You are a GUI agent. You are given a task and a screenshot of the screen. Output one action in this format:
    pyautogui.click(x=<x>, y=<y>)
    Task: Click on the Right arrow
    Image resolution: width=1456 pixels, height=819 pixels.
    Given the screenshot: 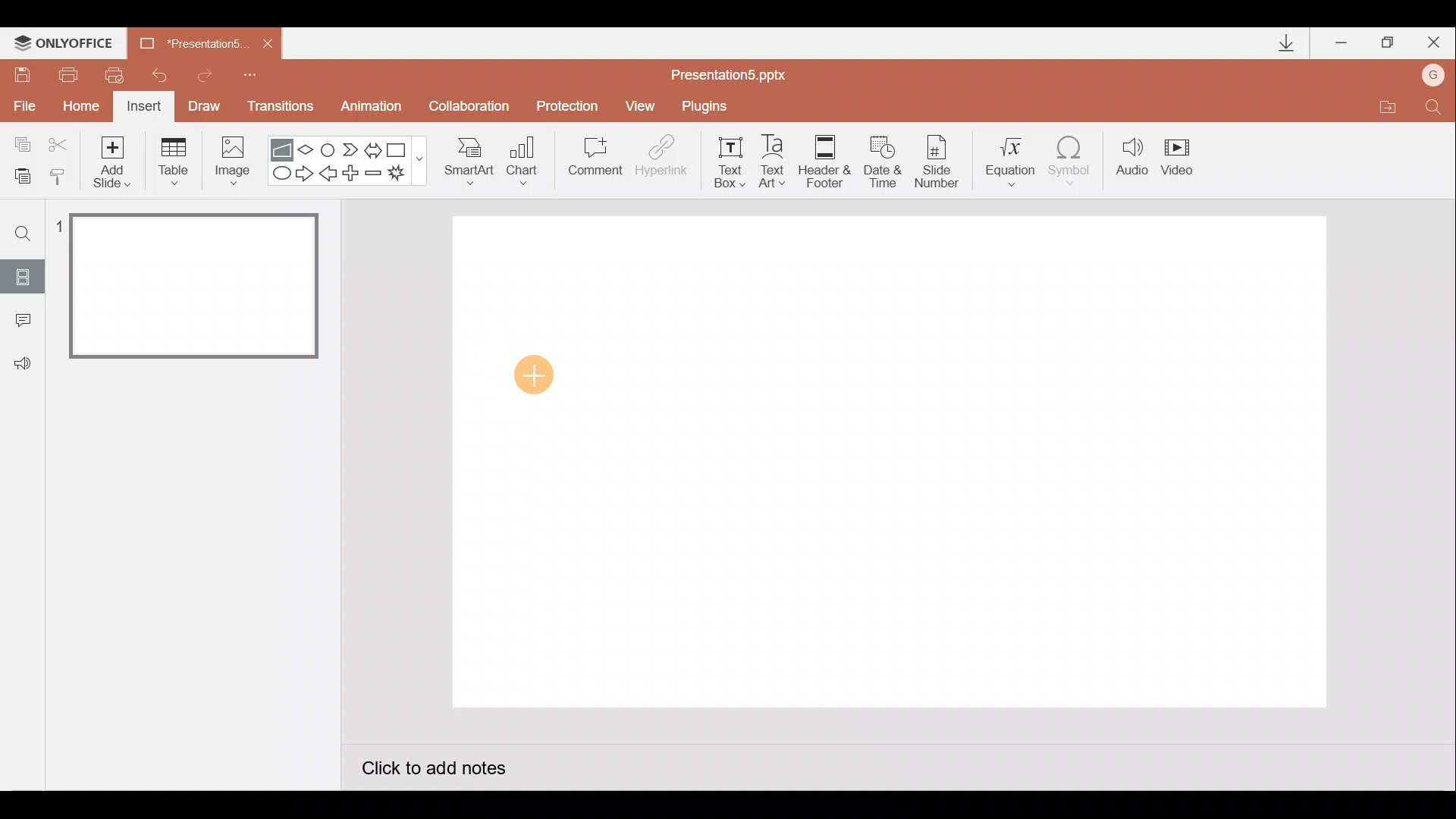 What is the action you would take?
    pyautogui.click(x=306, y=172)
    